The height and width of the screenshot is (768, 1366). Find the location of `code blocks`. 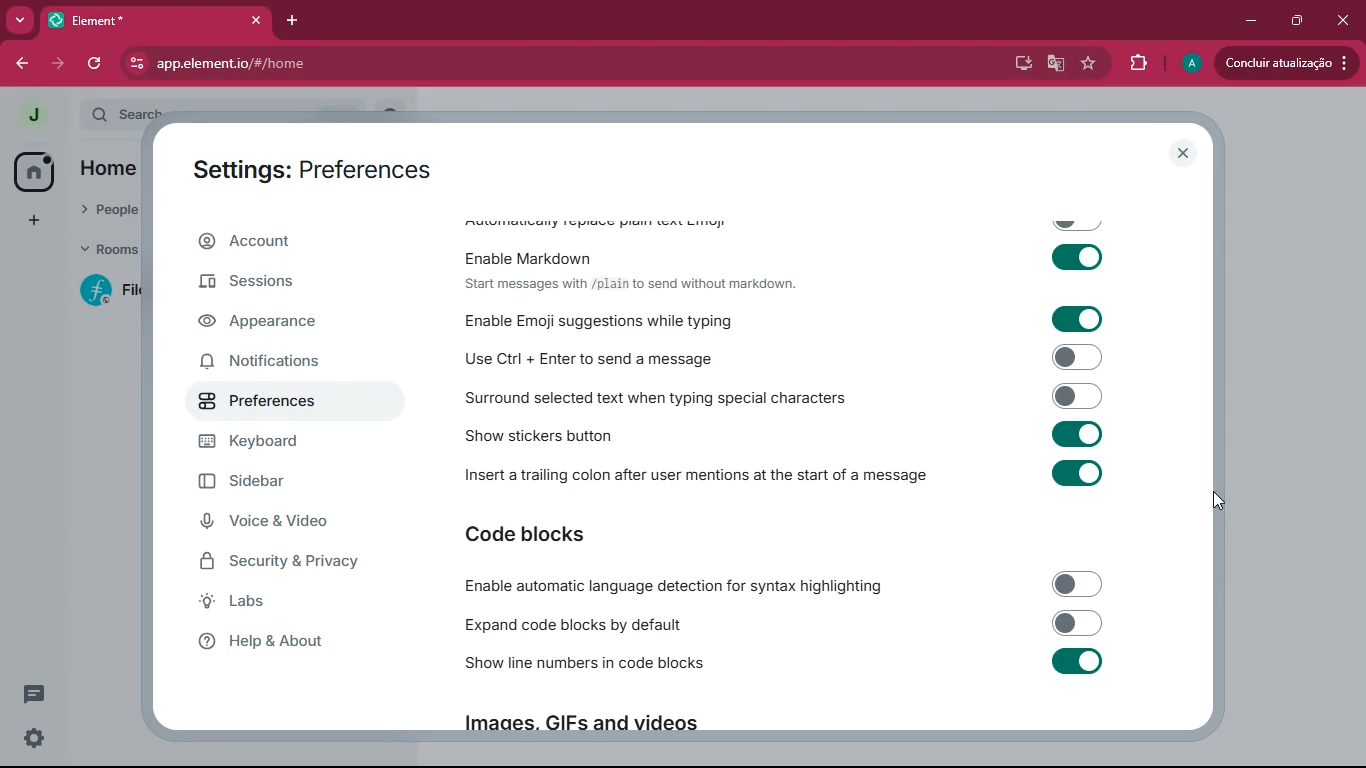

code blocks is located at coordinates (544, 535).